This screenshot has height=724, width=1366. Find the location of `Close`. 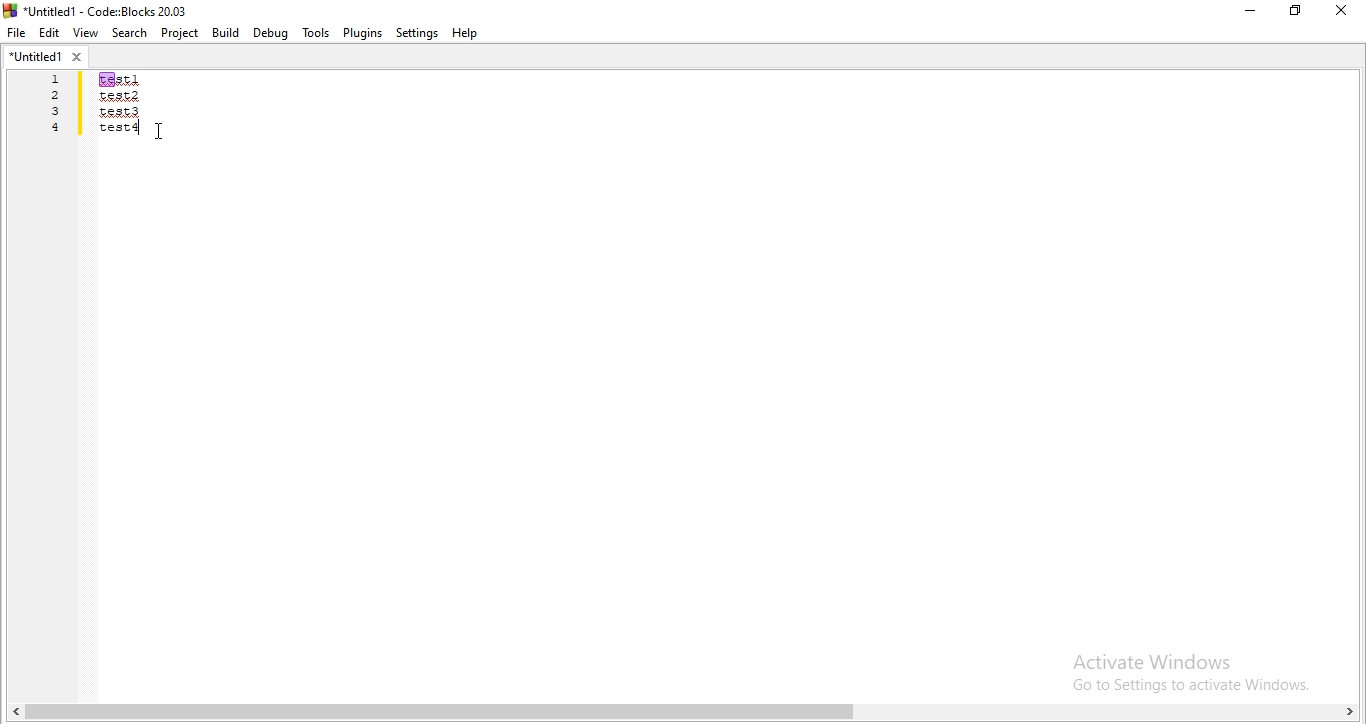

Close is located at coordinates (1342, 10).